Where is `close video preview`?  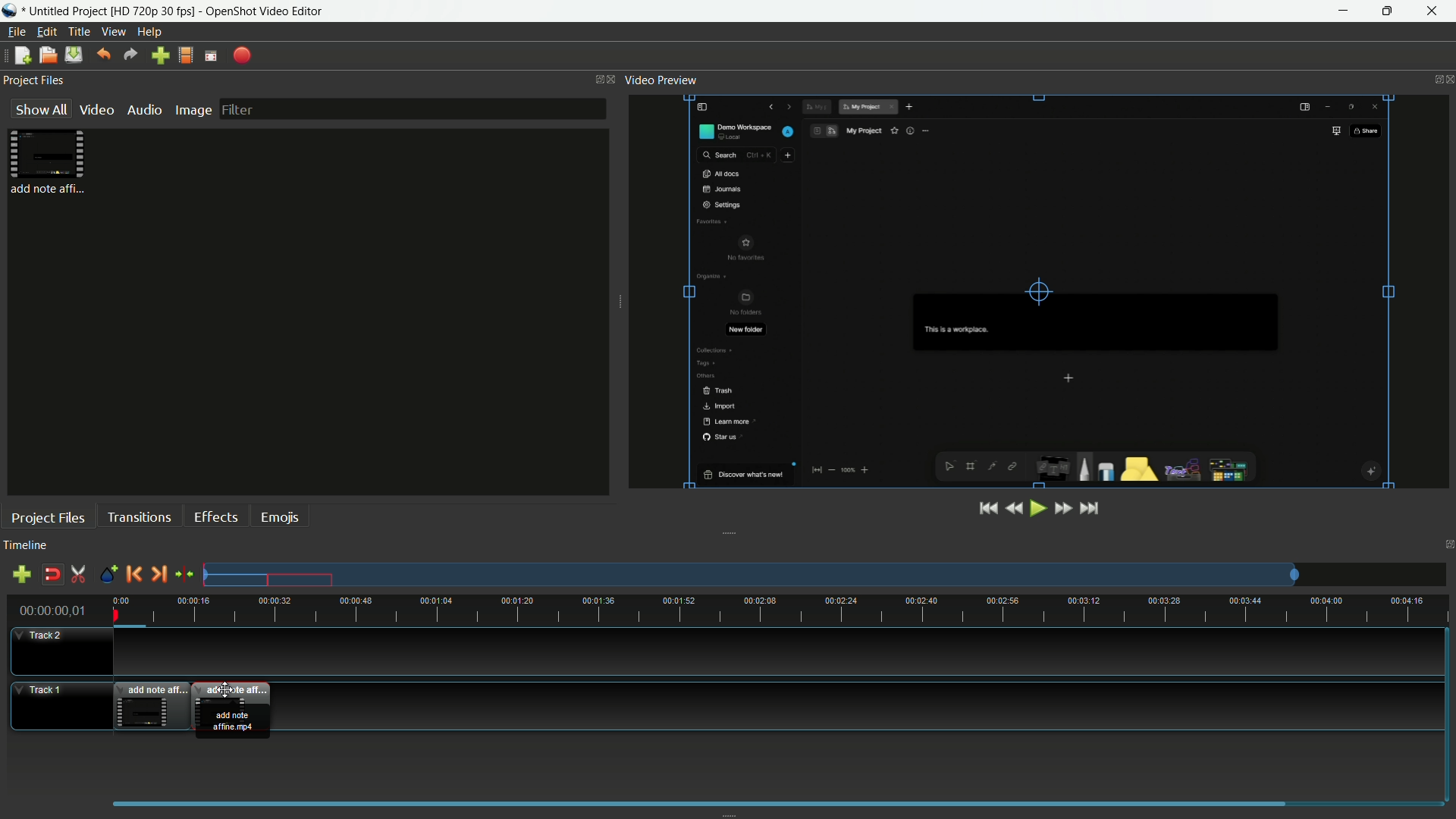 close video preview is located at coordinates (1447, 80).